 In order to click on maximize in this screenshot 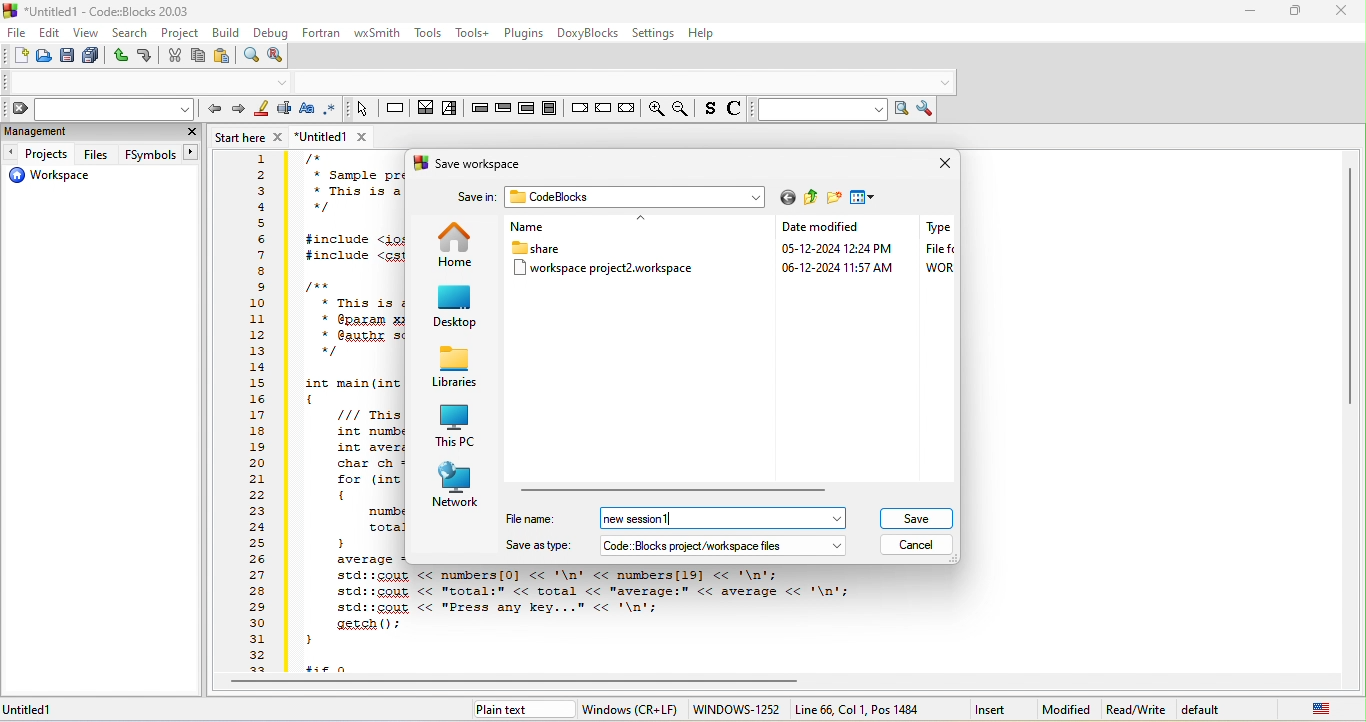, I will do `click(1298, 9)`.